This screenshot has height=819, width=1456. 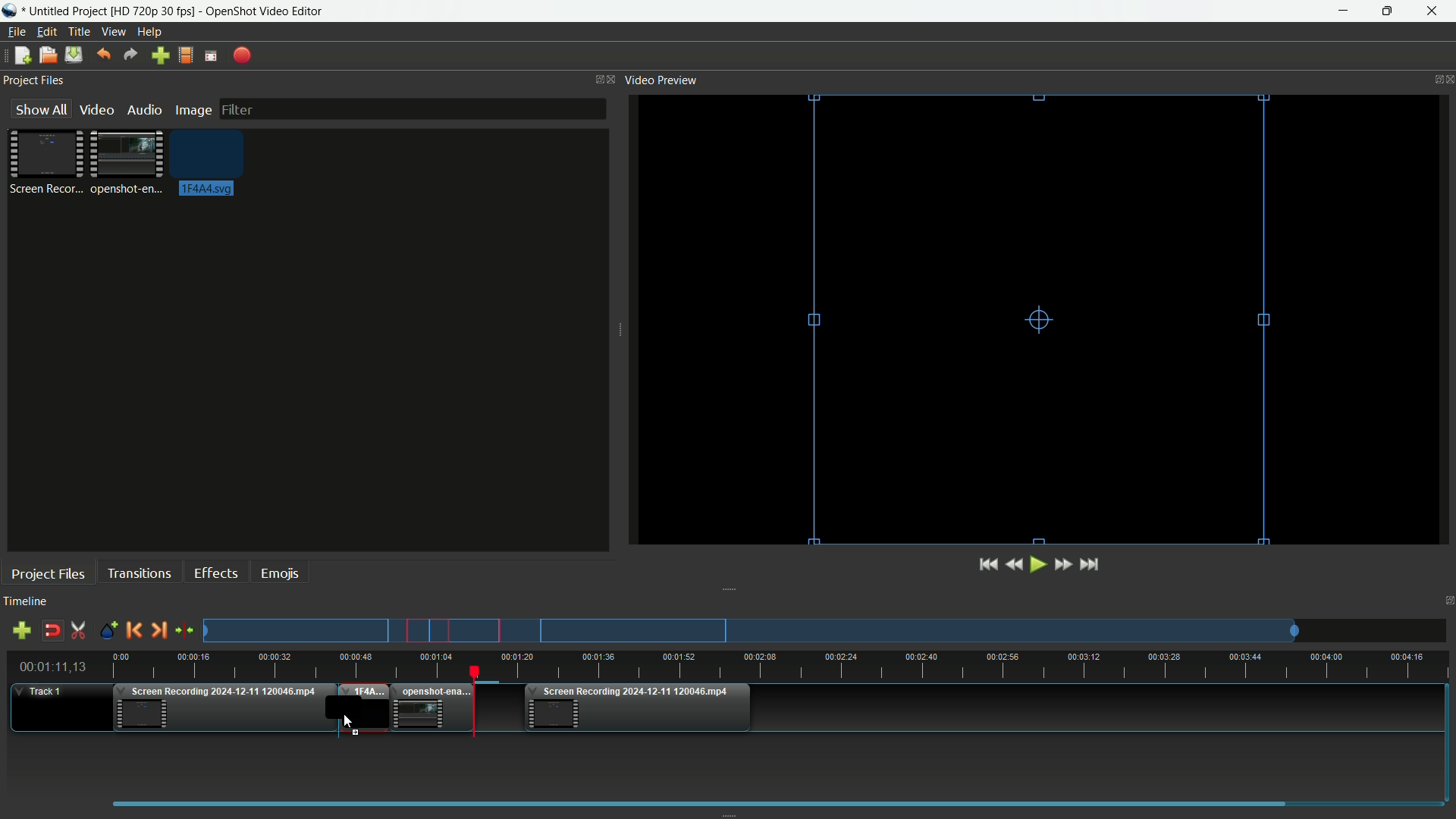 I want to click on Open file, so click(x=47, y=57).